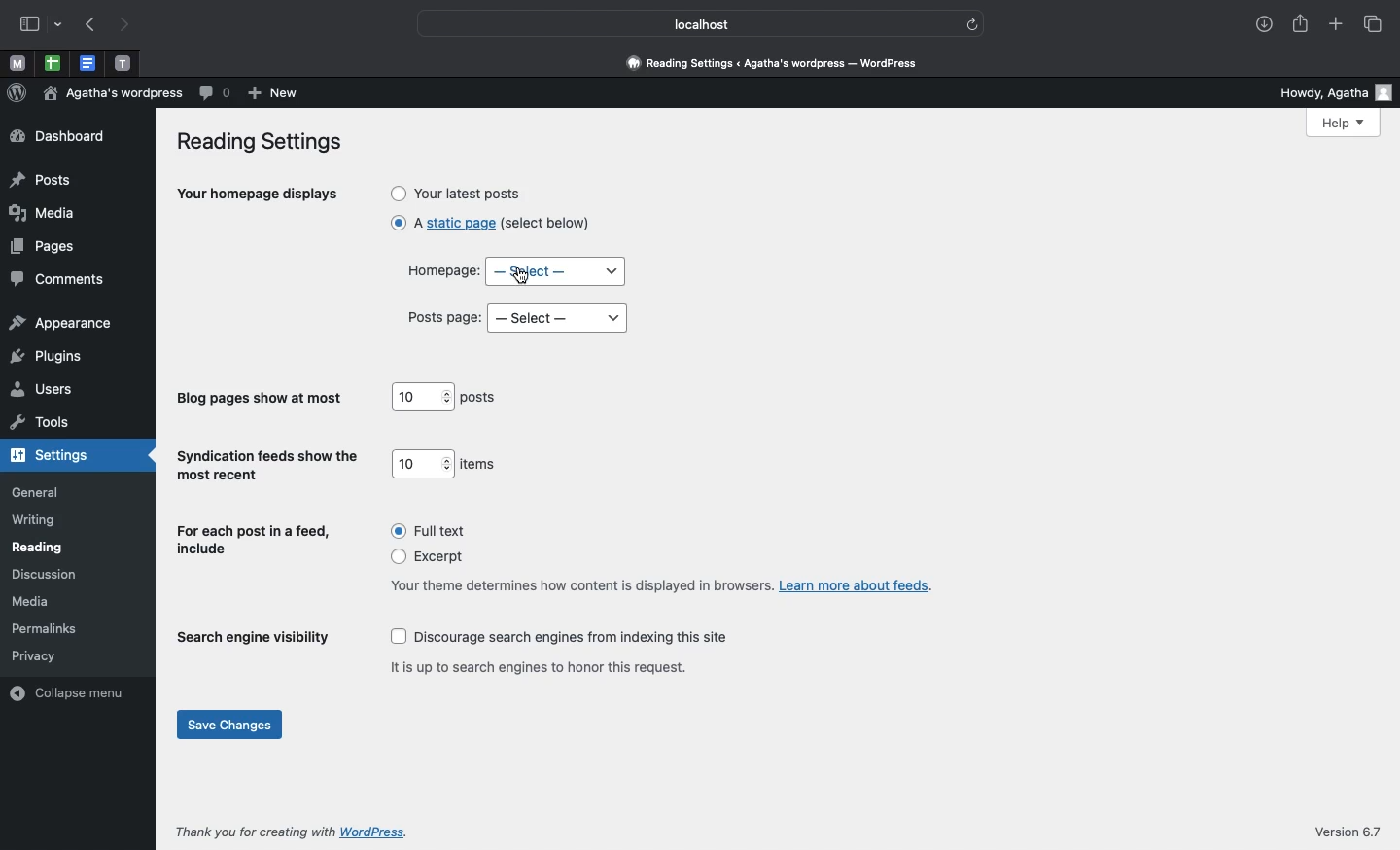 Image resolution: width=1400 pixels, height=850 pixels. What do you see at coordinates (52, 63) in the screenshot?
I see `Pinned tabs` at bounding box center [52, 63].